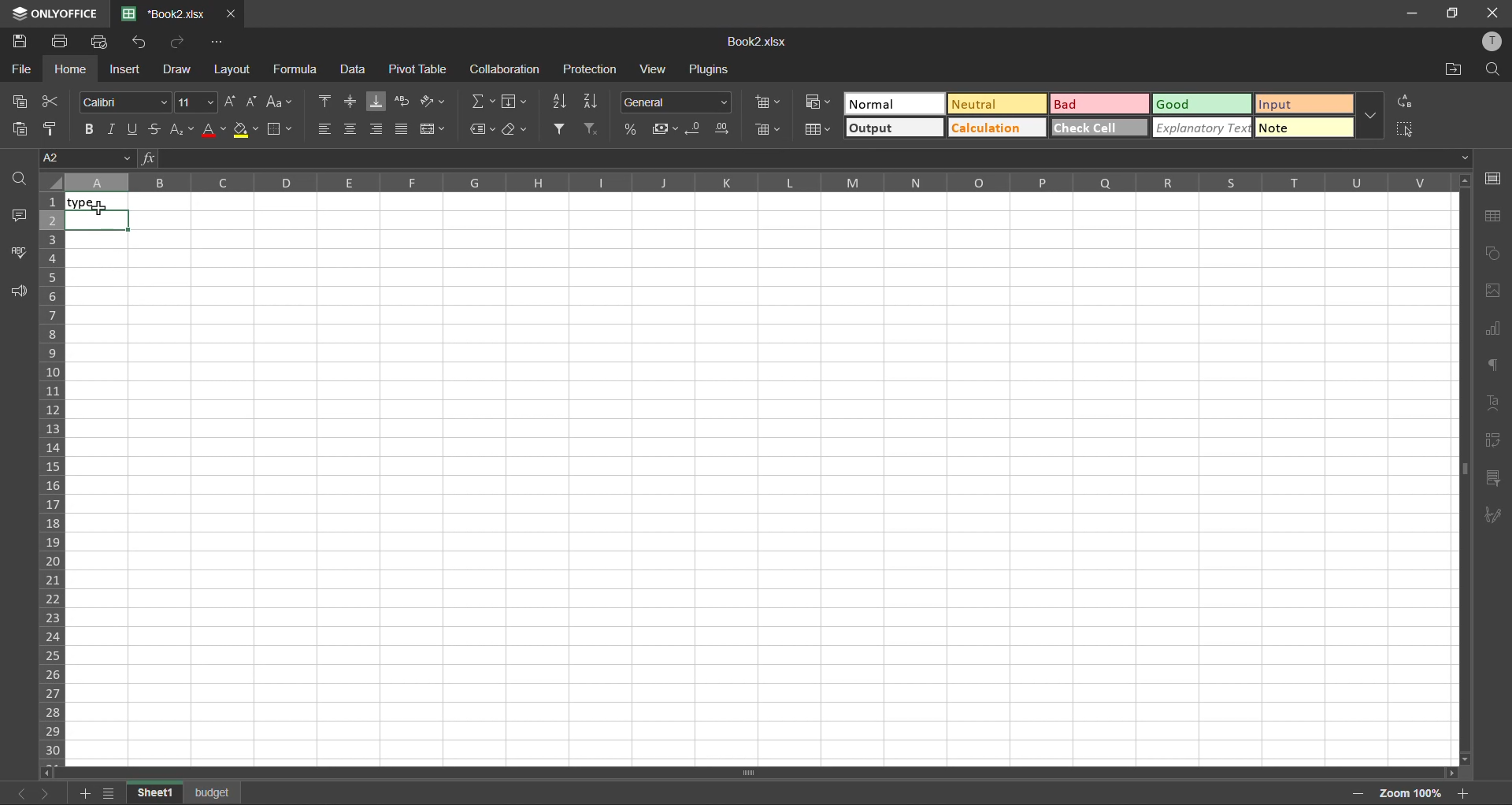  What do you see at coordinates (245, 130) in the screenshot?
I see `fill color` at bounding box center [245, 130].